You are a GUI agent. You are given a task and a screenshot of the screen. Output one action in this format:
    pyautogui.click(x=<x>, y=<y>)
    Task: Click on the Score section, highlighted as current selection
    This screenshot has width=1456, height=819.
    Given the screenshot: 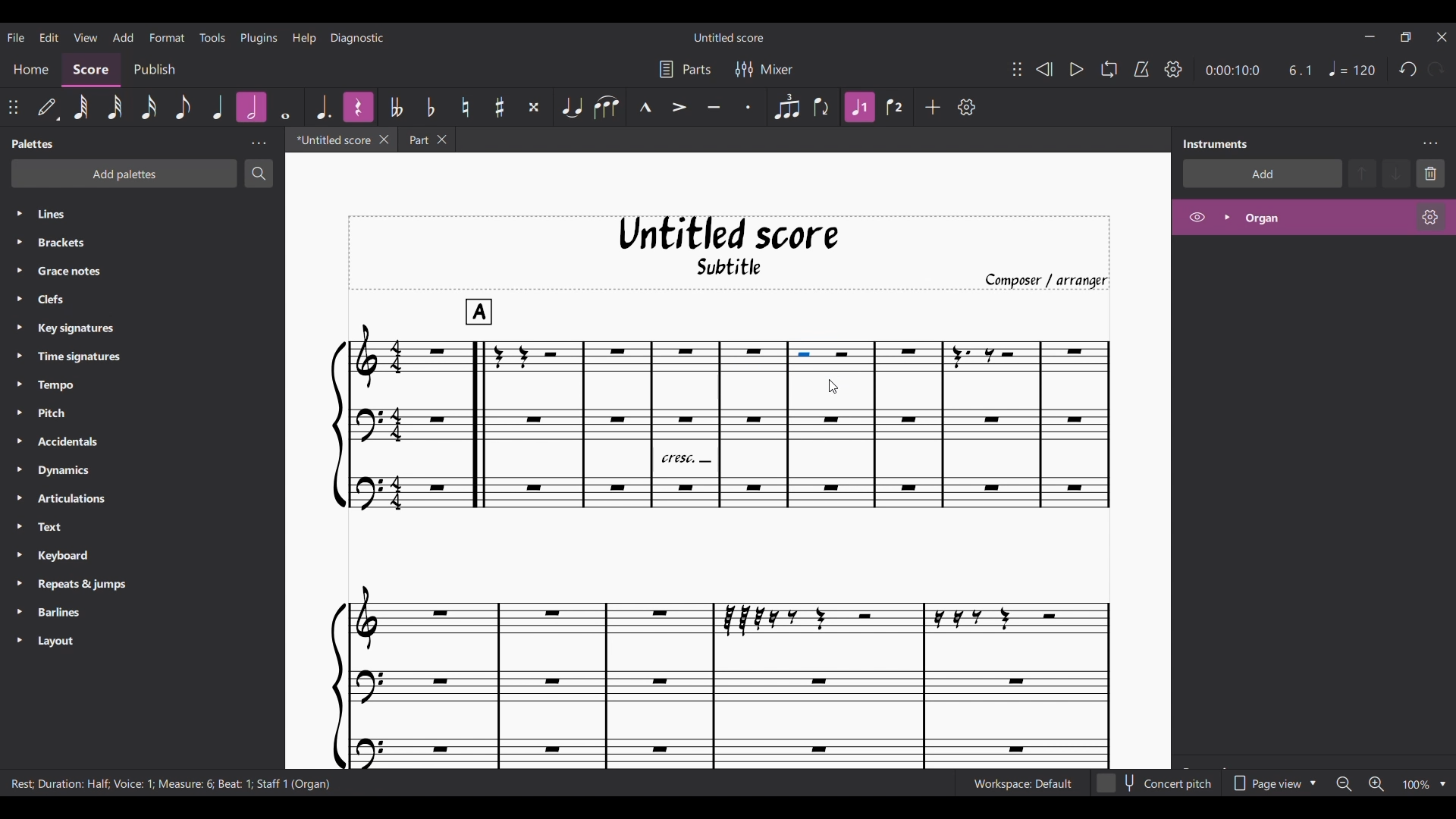 What is the action you would take?
    pyautogui.click(x=90, y=70)
    